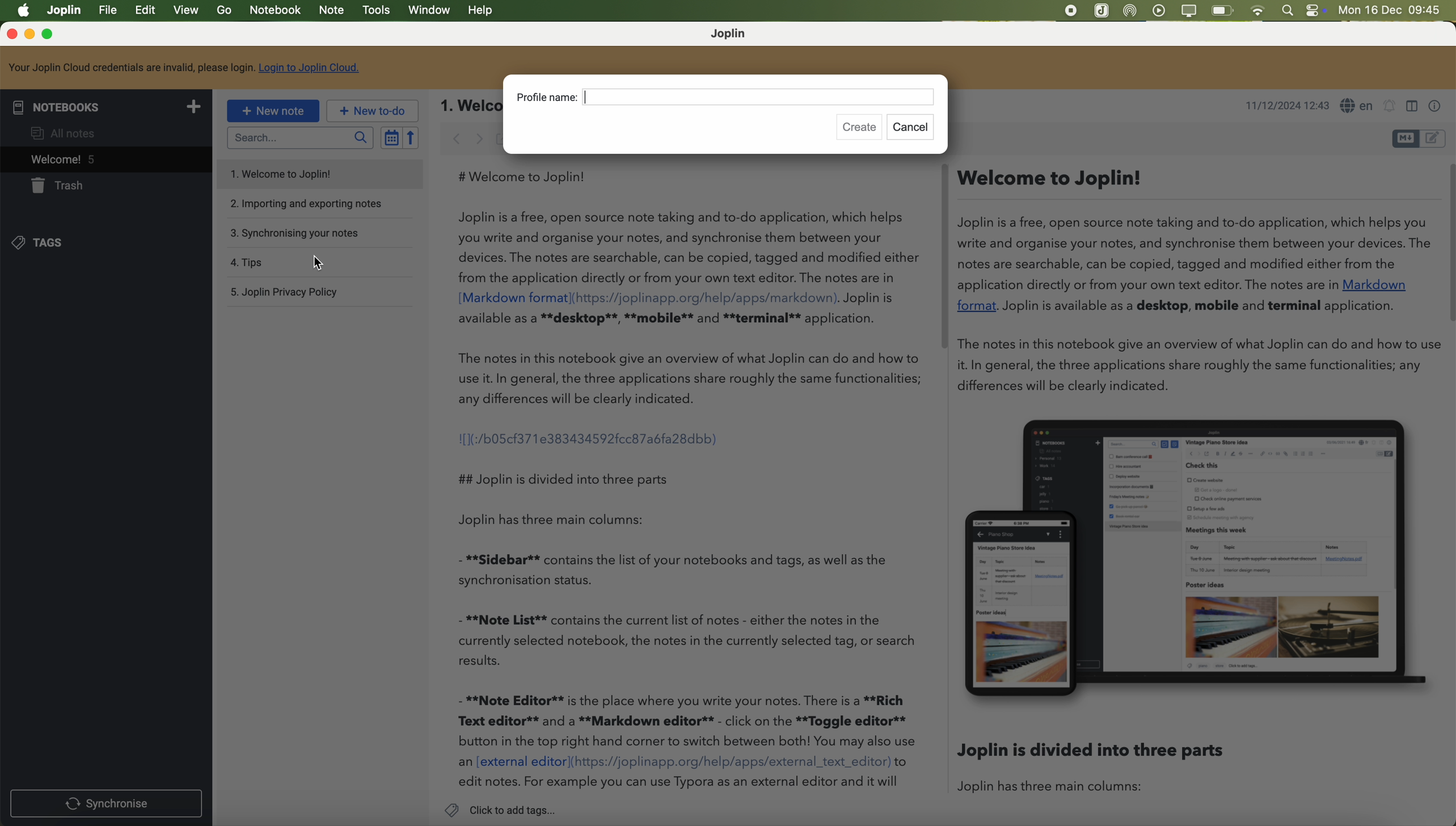 The image size is (1456, 826). What do you see at coordinates (1189, 11) in the screenshot?
I see `screen` at bounding box center [1189, 11].